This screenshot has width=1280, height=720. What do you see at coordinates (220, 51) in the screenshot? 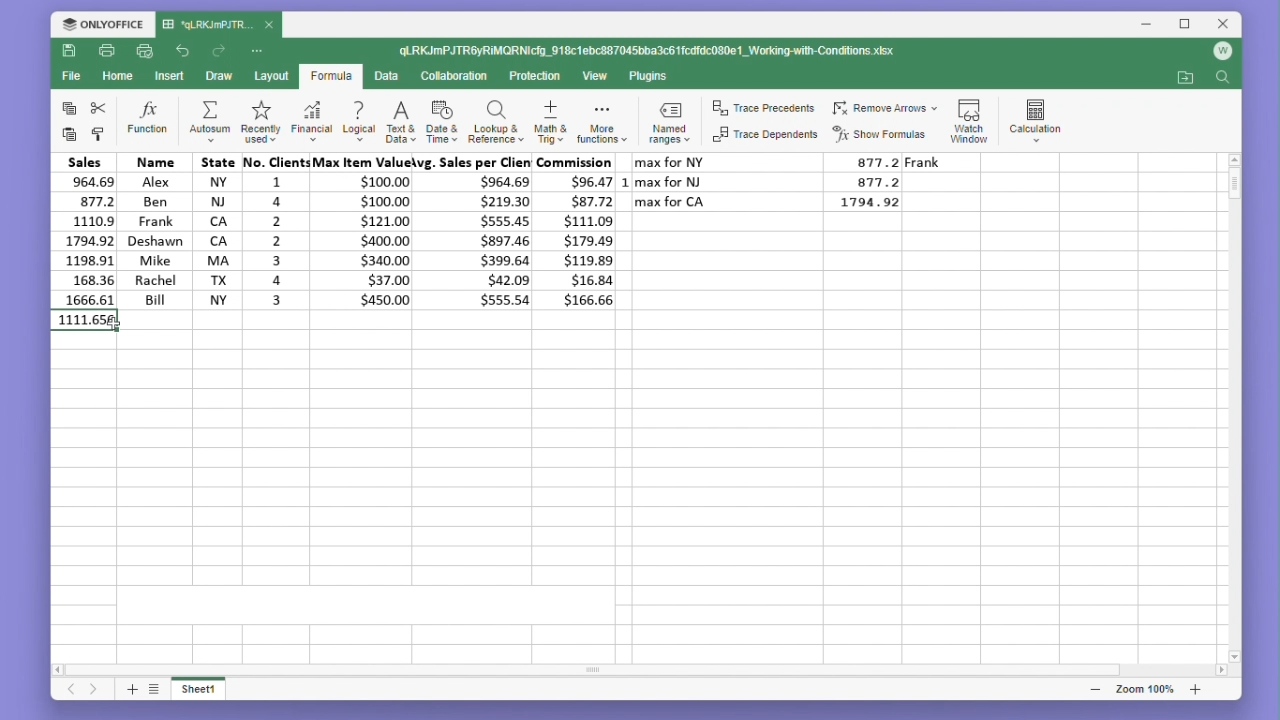
I see `Redo` at bounding box center [220, 51].